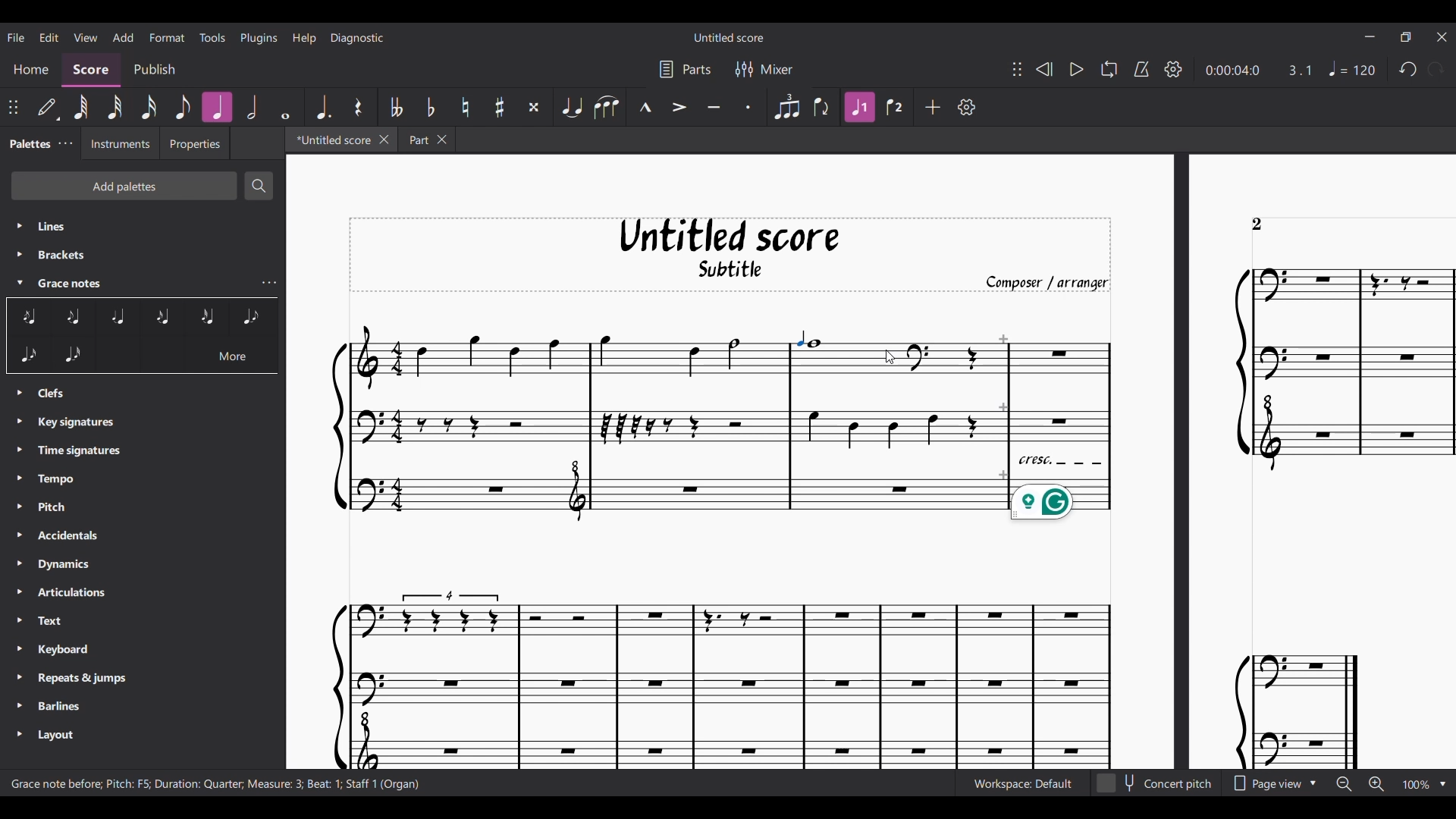 The width and height of the screenshot is (1456, 819). I want to click on Customize toolbar, so click(967, 107).